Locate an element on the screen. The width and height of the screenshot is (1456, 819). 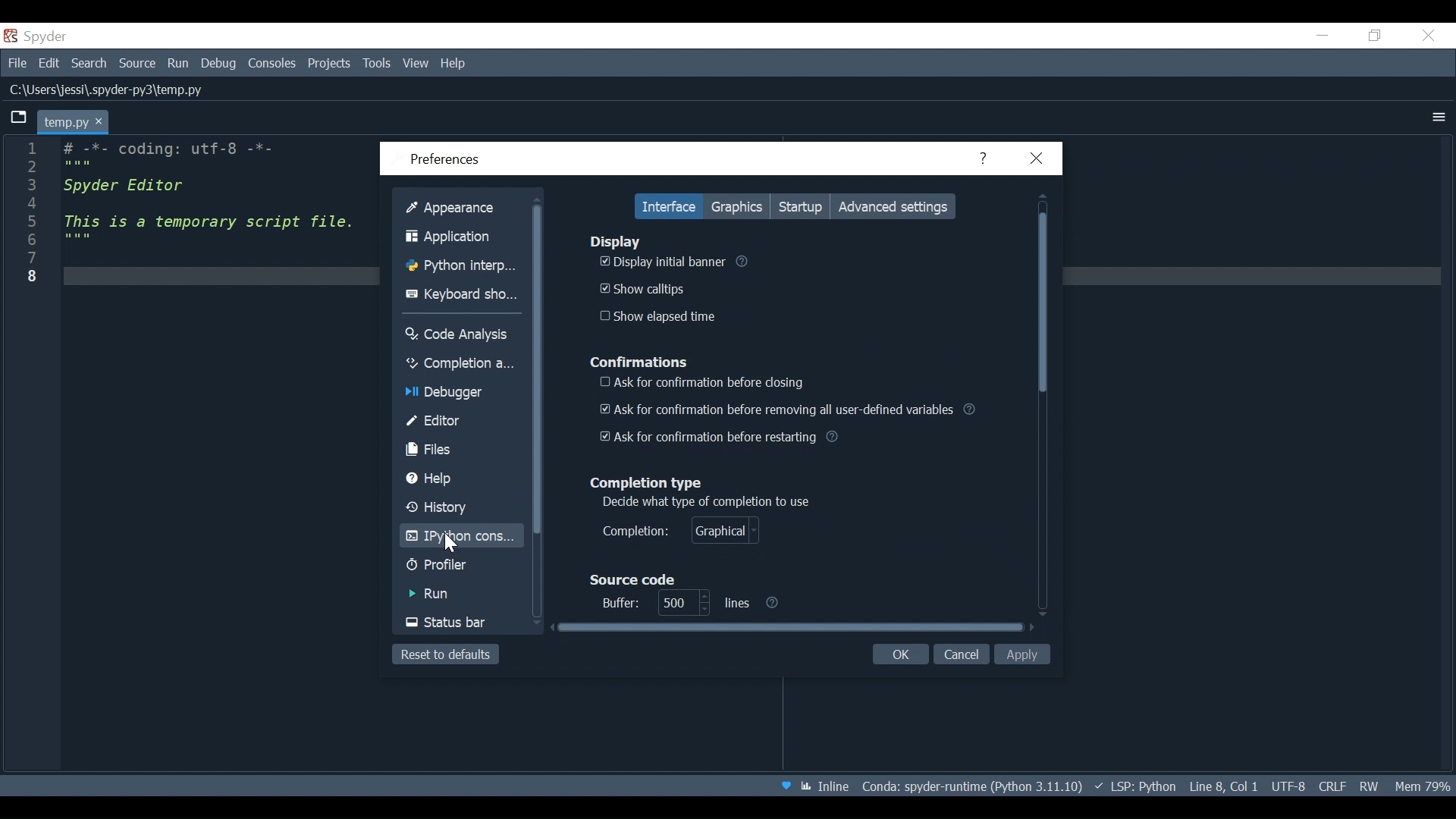
Consoles is located at coordinates (271, 64).